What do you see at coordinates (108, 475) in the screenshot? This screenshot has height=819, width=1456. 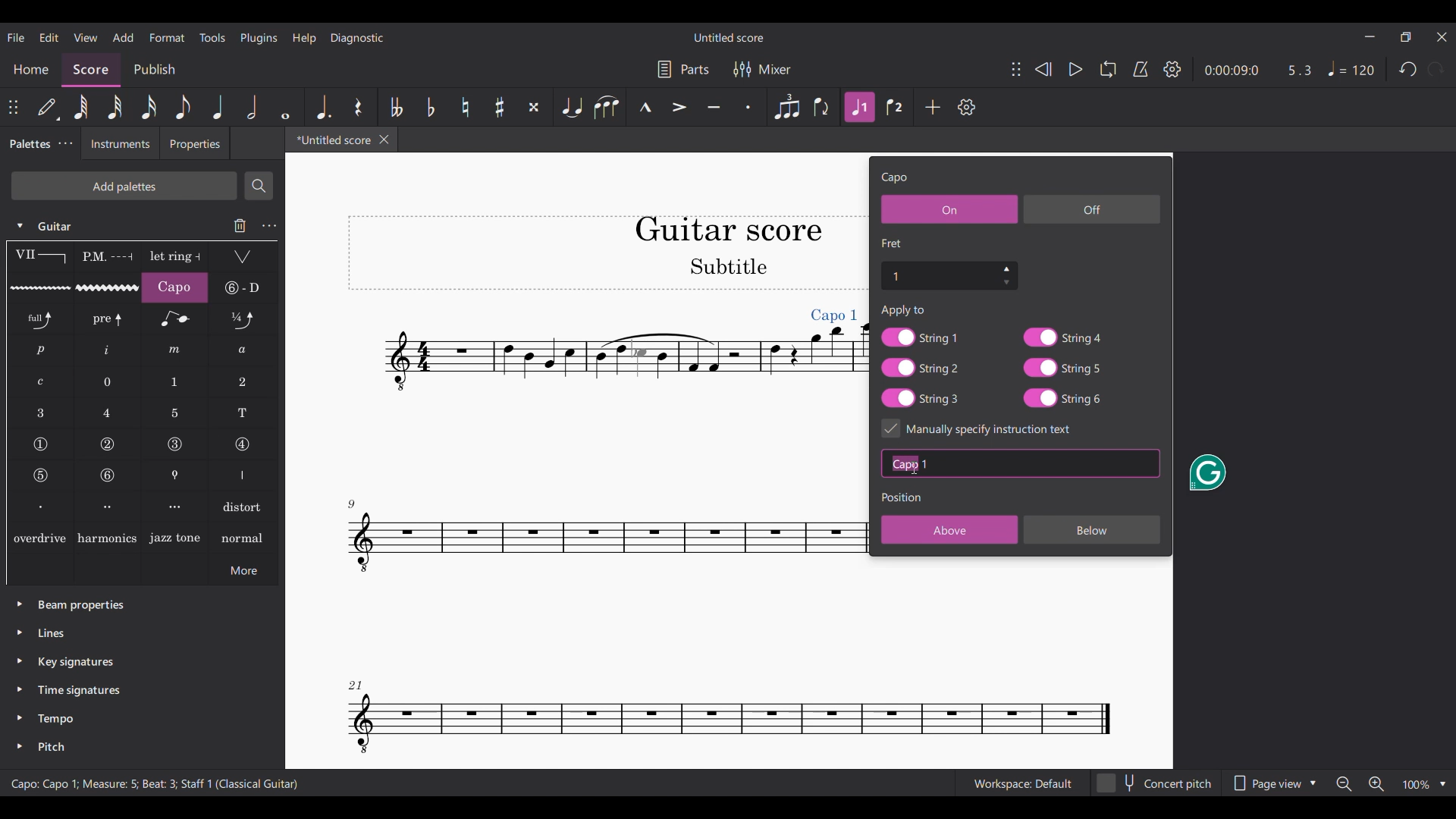 I see `String number 6` at bounding box center [108, 475].